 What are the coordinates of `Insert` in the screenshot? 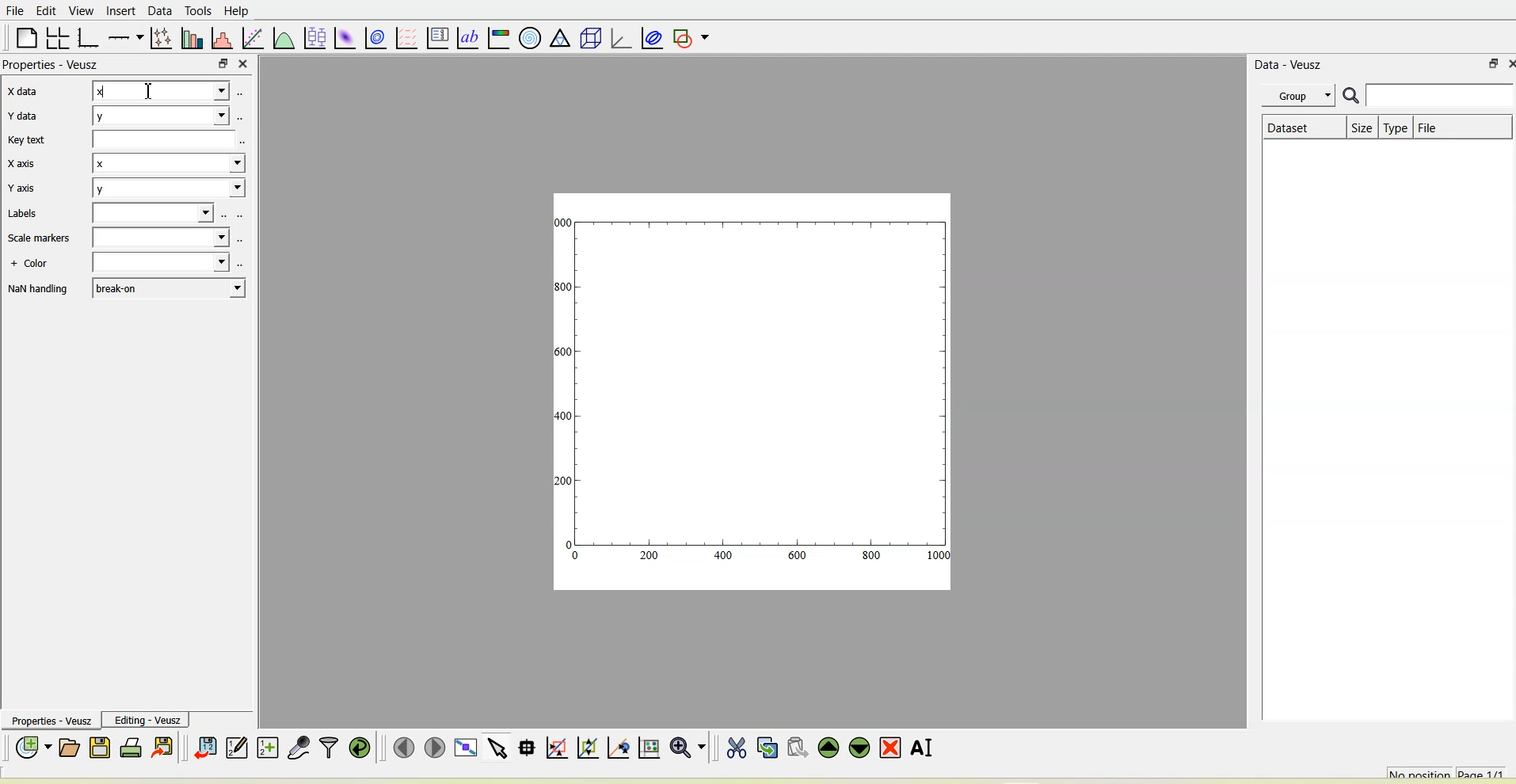 It's located at (120, 10).